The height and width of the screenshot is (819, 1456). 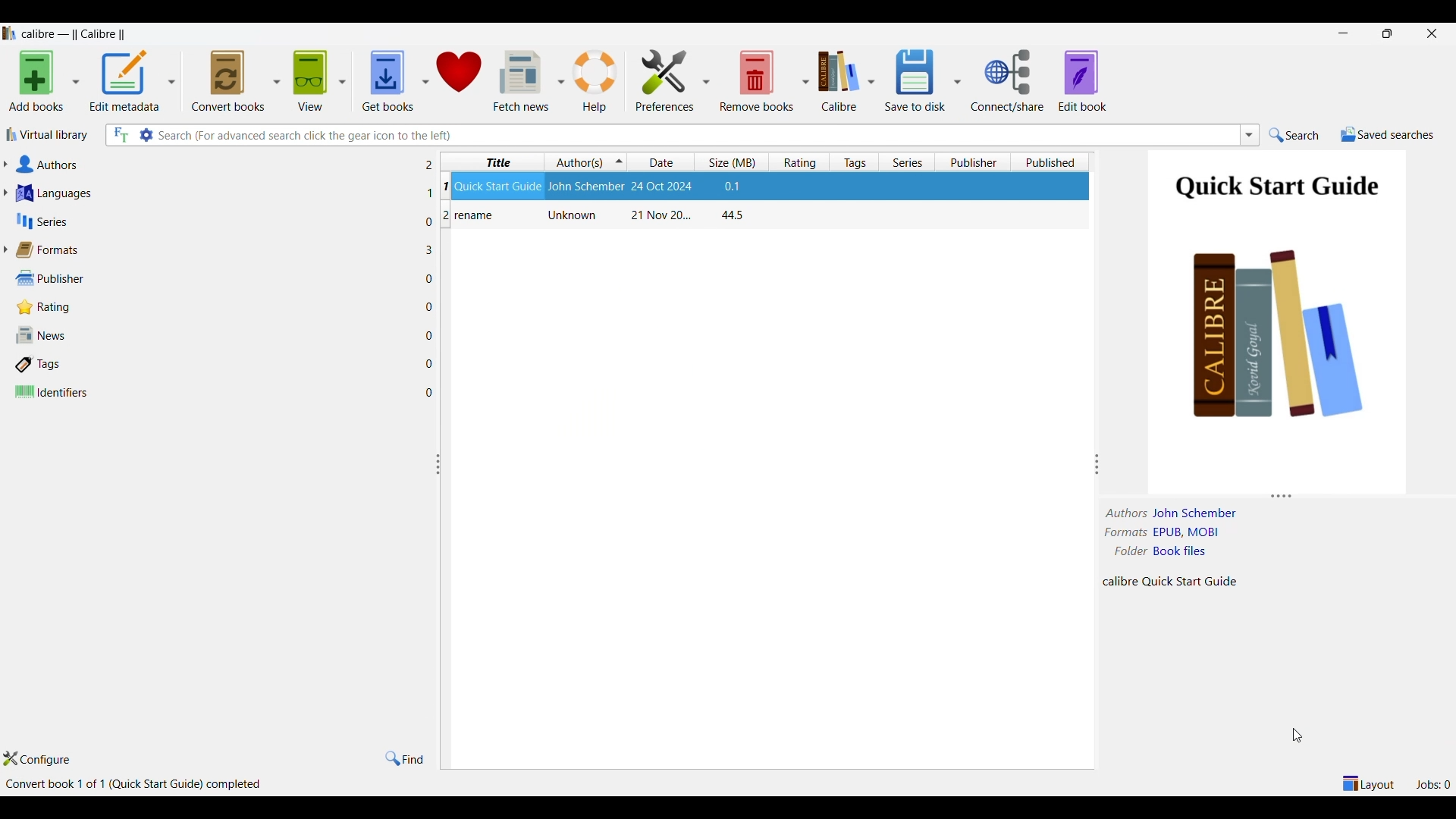 I want to click on Convert books, so click(x=228, y=81).